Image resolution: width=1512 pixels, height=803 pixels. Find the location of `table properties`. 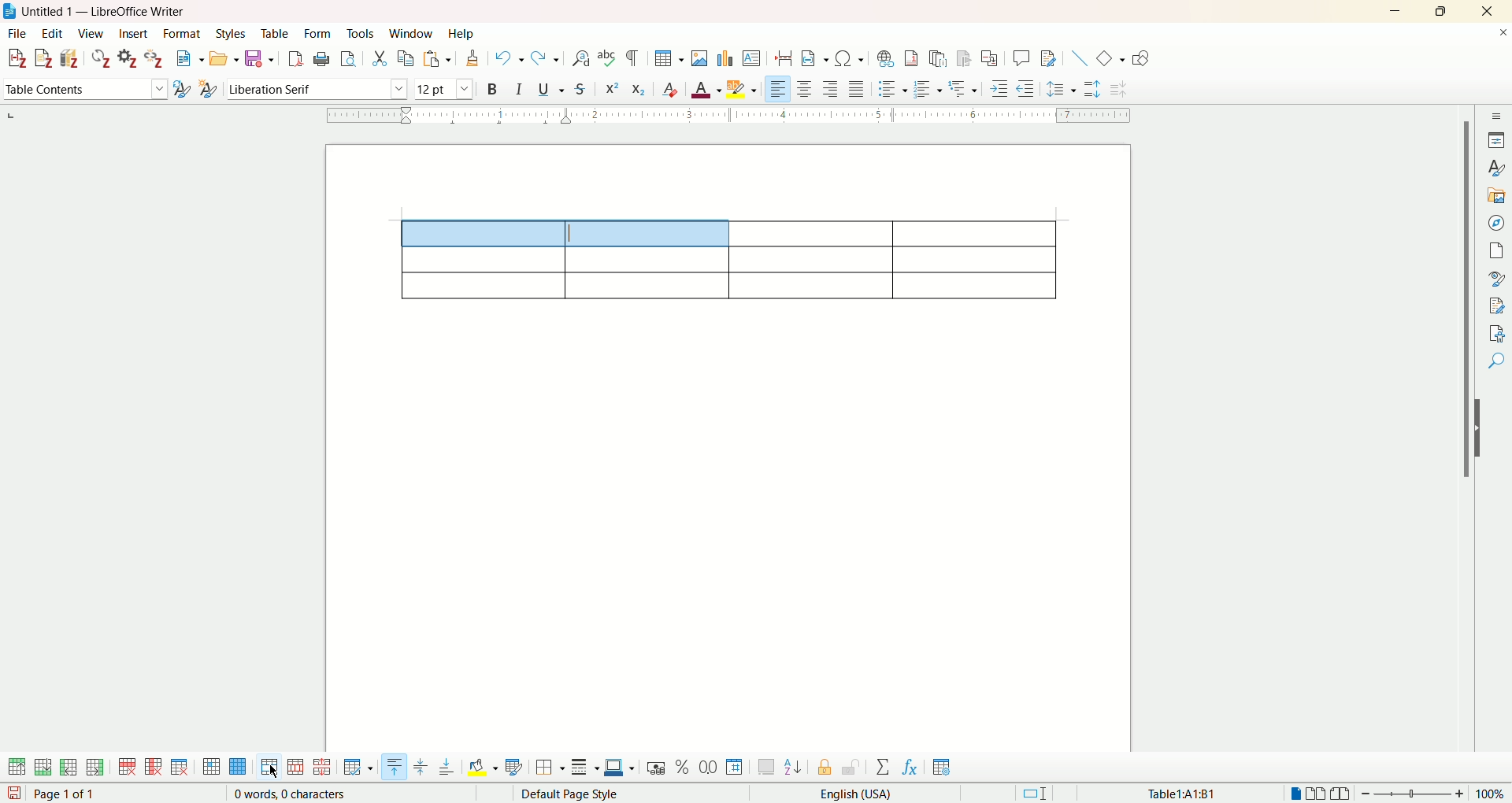

table properties is located at coordinates (939, 768).